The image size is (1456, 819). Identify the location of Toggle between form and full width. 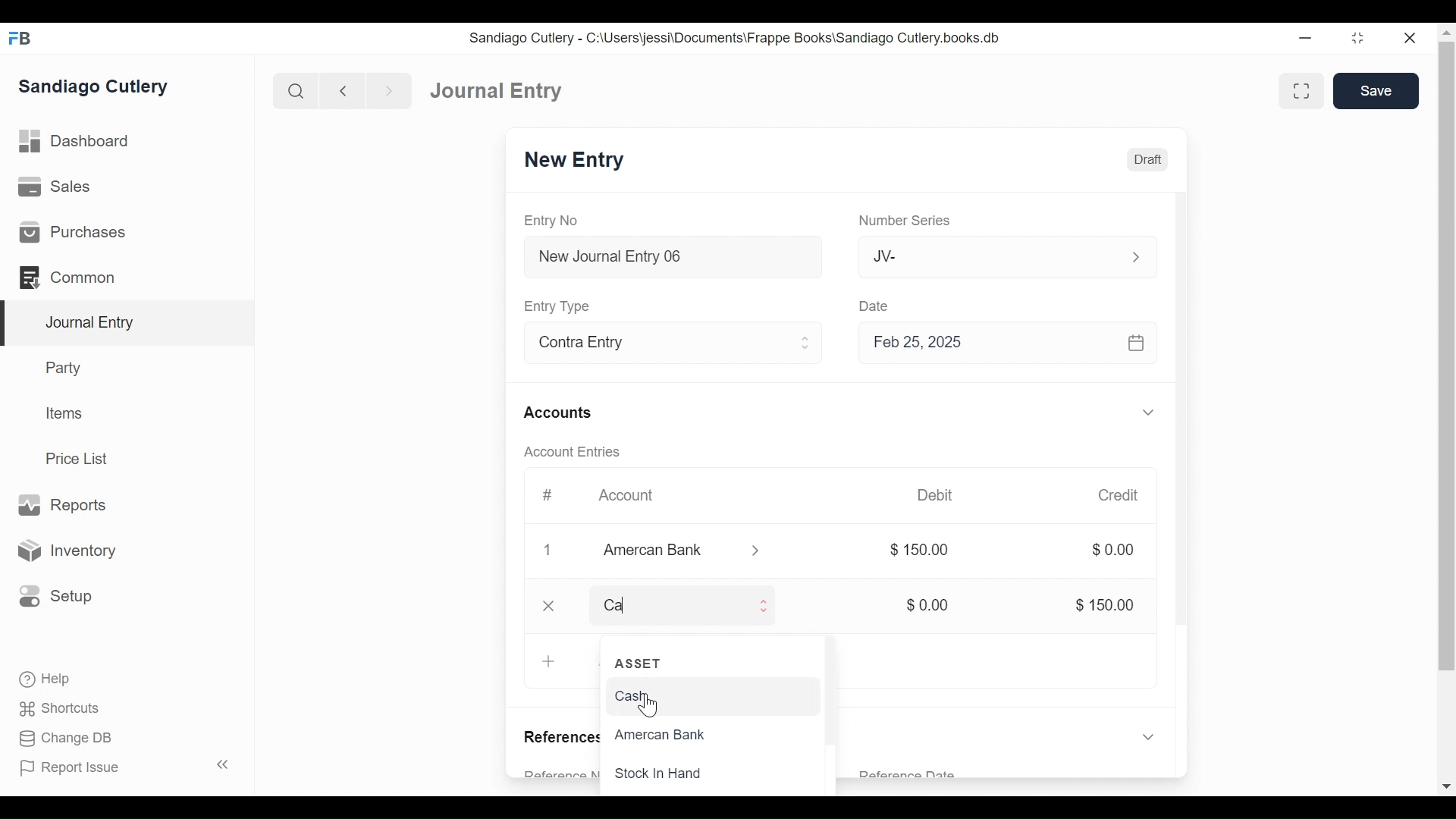
(1302, 91).